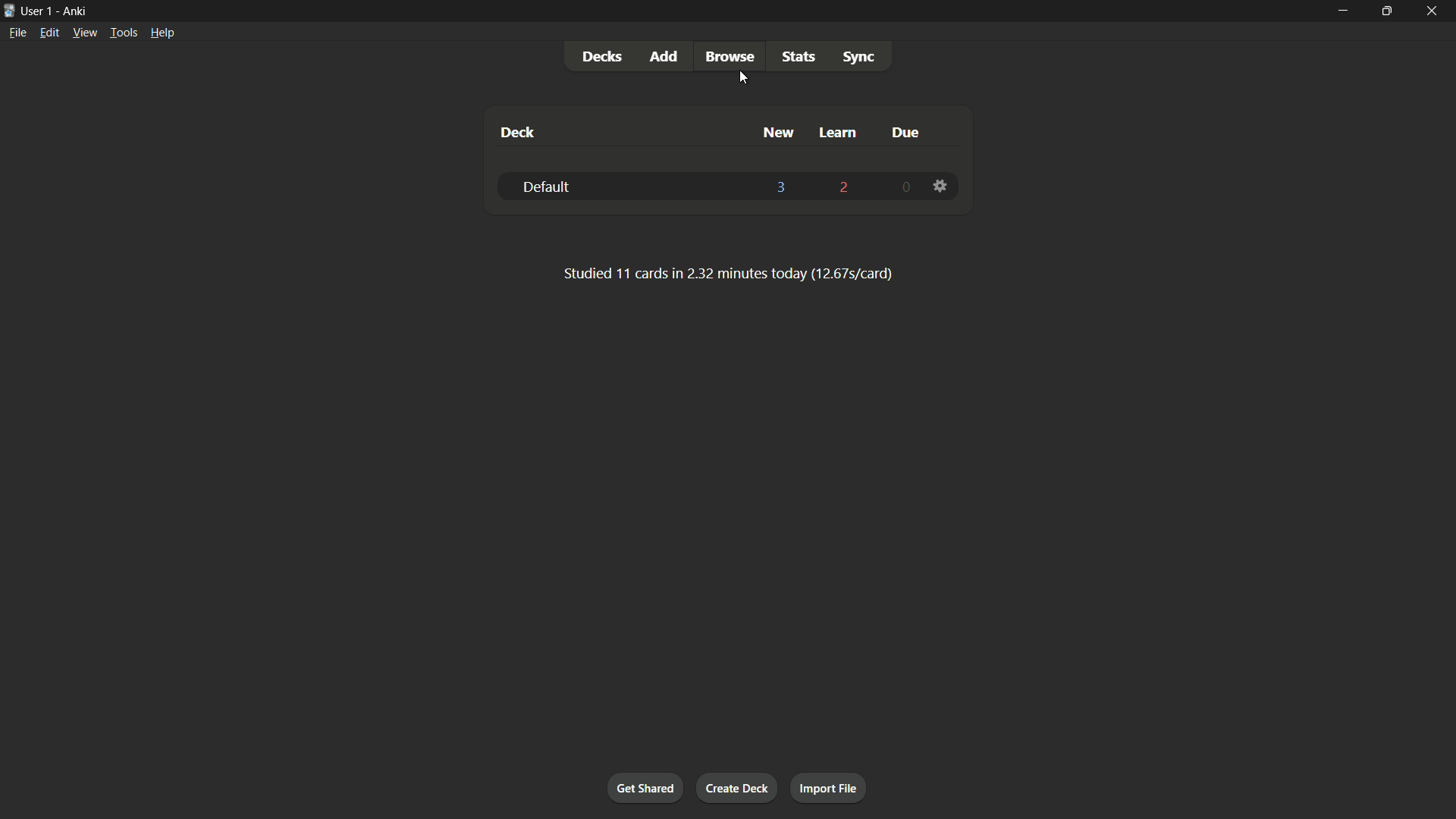  Describe the element at coordinates (17, 32) in the screenshot. I see `file menu` at that location.